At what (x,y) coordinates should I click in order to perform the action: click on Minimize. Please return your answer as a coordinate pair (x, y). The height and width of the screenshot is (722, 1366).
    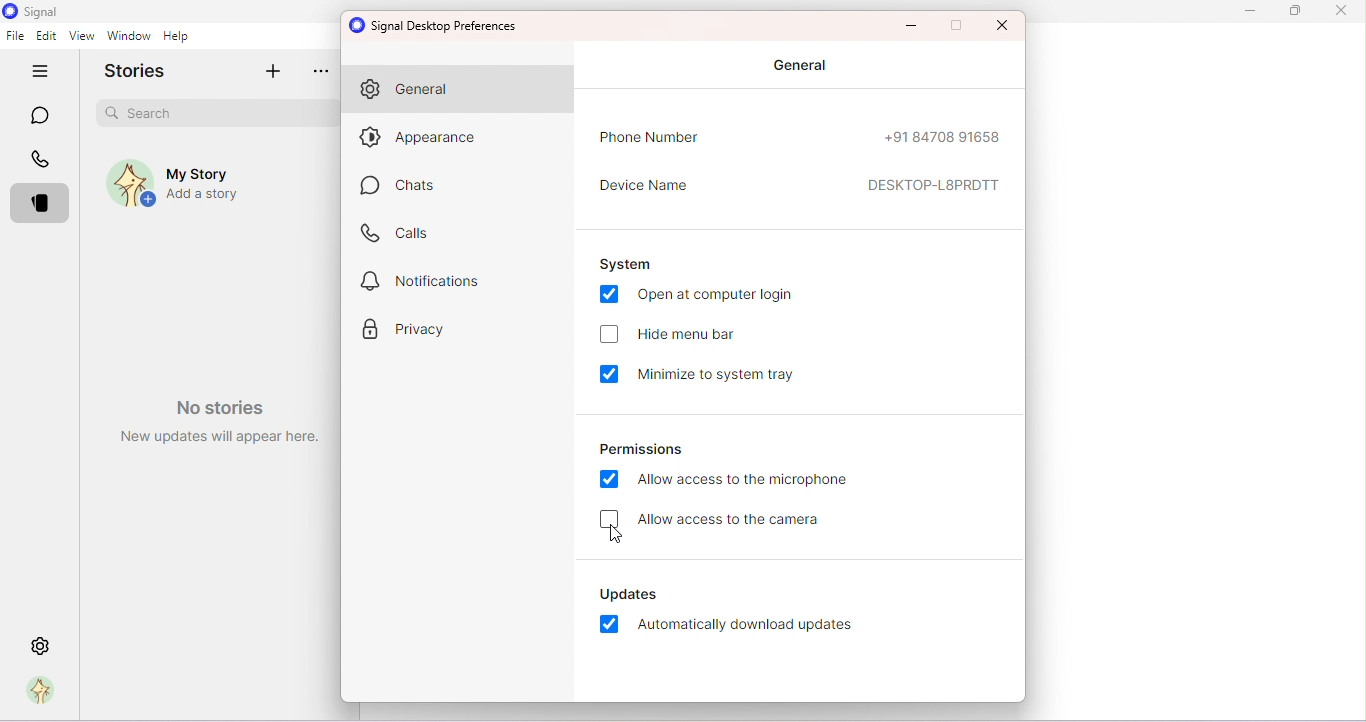
    Looking at the image, I should click on (914, 26).